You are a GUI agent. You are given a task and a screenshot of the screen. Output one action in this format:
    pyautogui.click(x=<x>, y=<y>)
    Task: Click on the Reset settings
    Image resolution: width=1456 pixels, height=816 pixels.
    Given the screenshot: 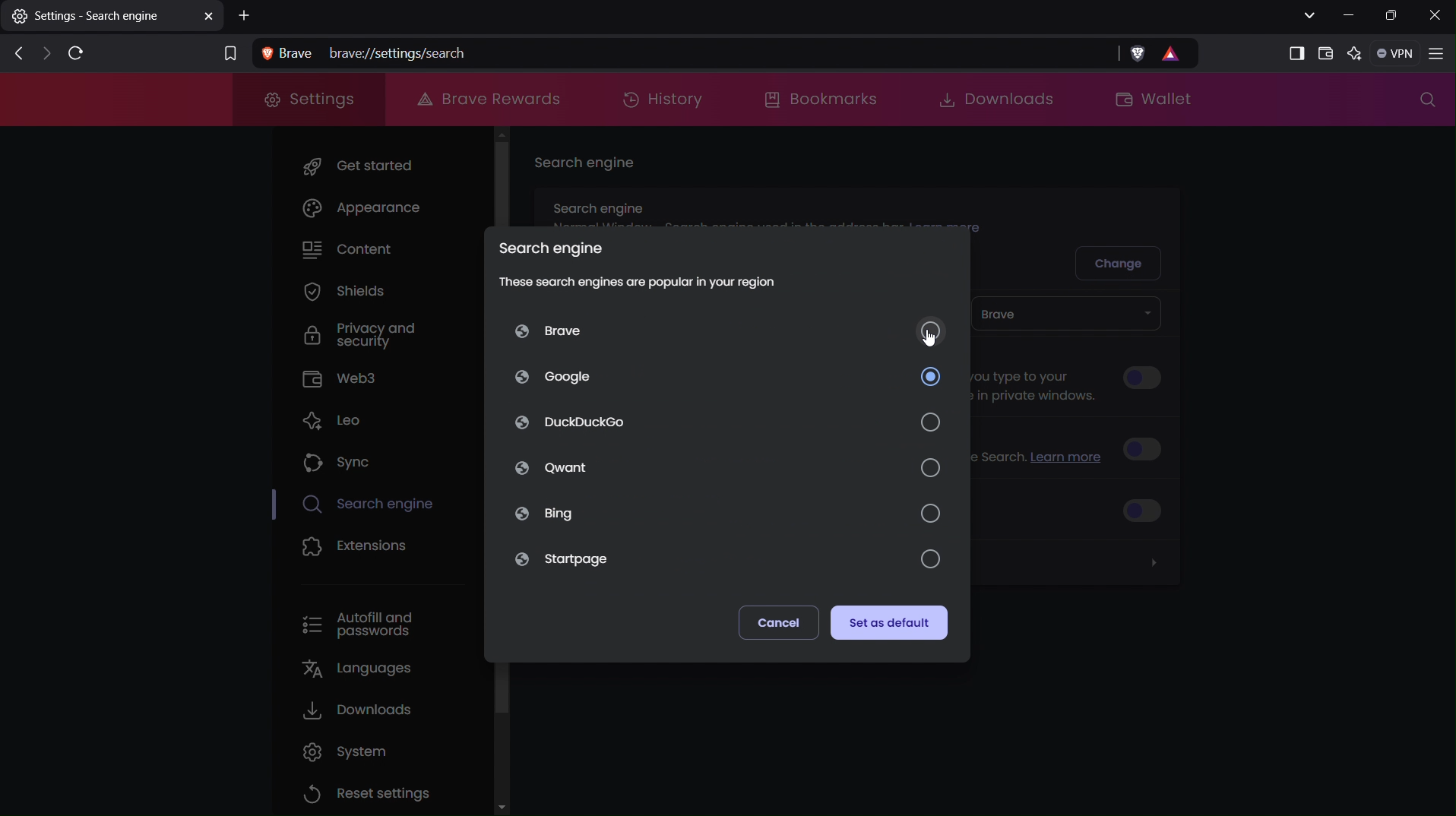 What is the action you would take?
    pyautogui.click(x=368, y=792)
    